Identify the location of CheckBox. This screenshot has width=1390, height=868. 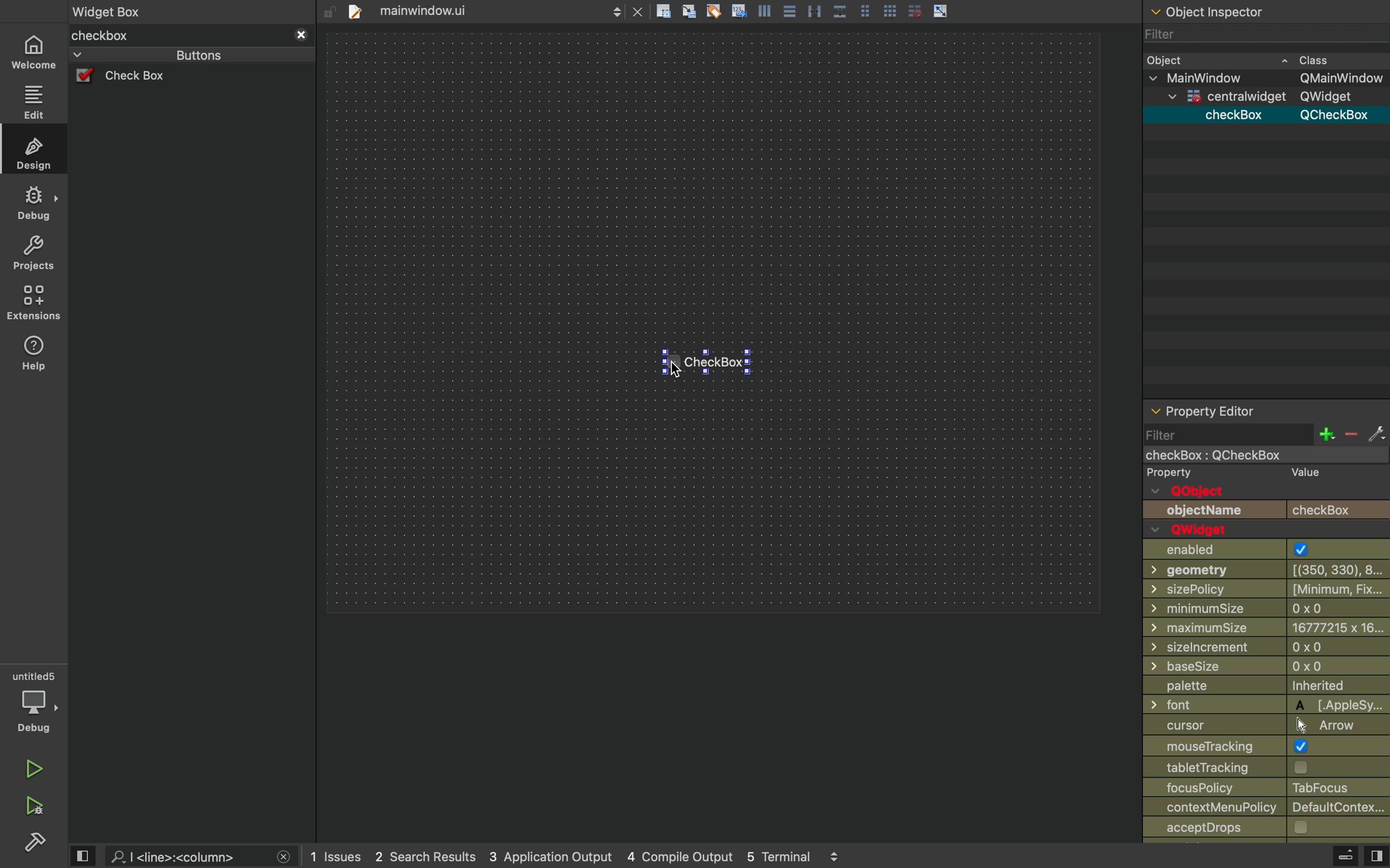
(718, 366).